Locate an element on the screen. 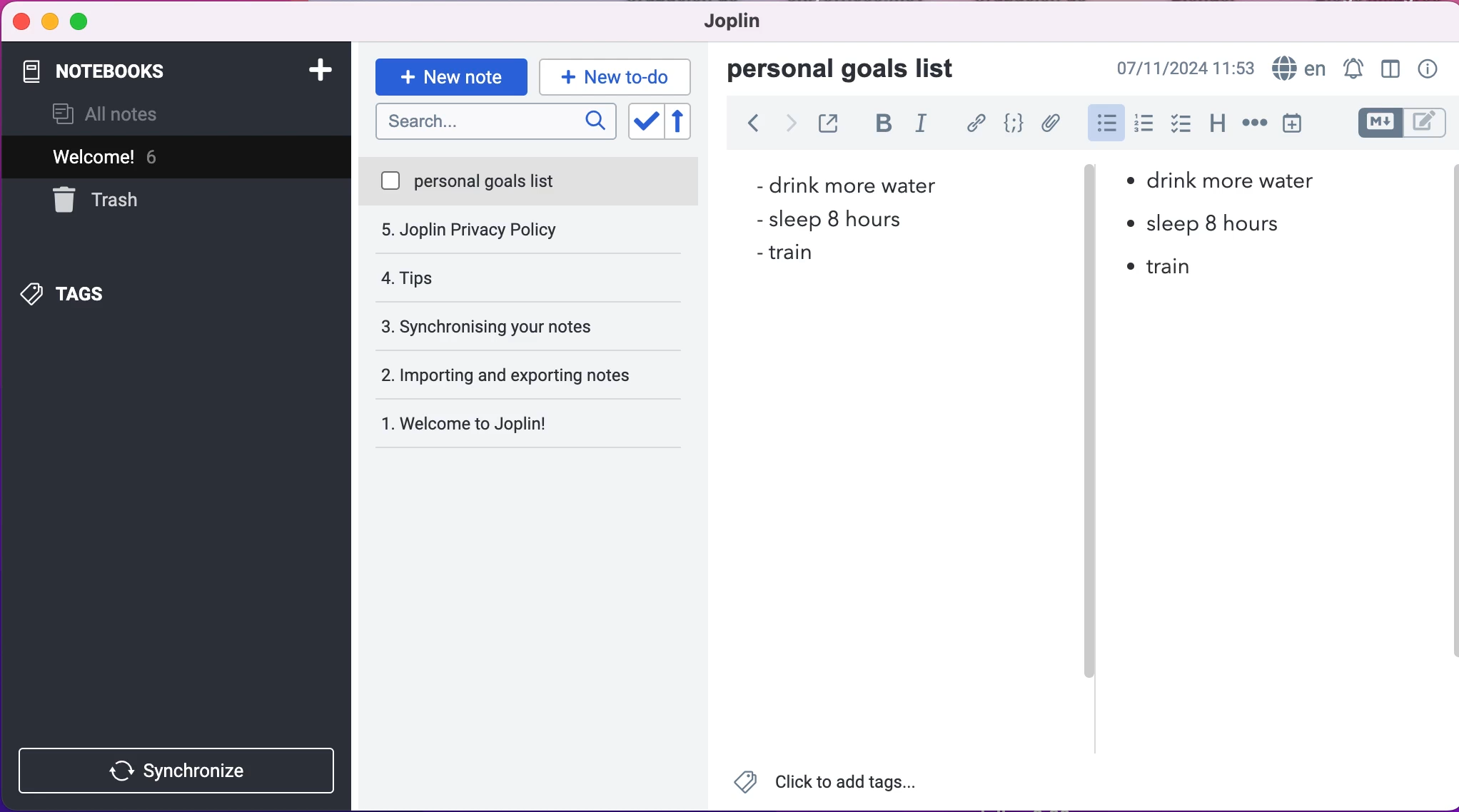  toggle editor layour is located at coordinates (1389, 66).